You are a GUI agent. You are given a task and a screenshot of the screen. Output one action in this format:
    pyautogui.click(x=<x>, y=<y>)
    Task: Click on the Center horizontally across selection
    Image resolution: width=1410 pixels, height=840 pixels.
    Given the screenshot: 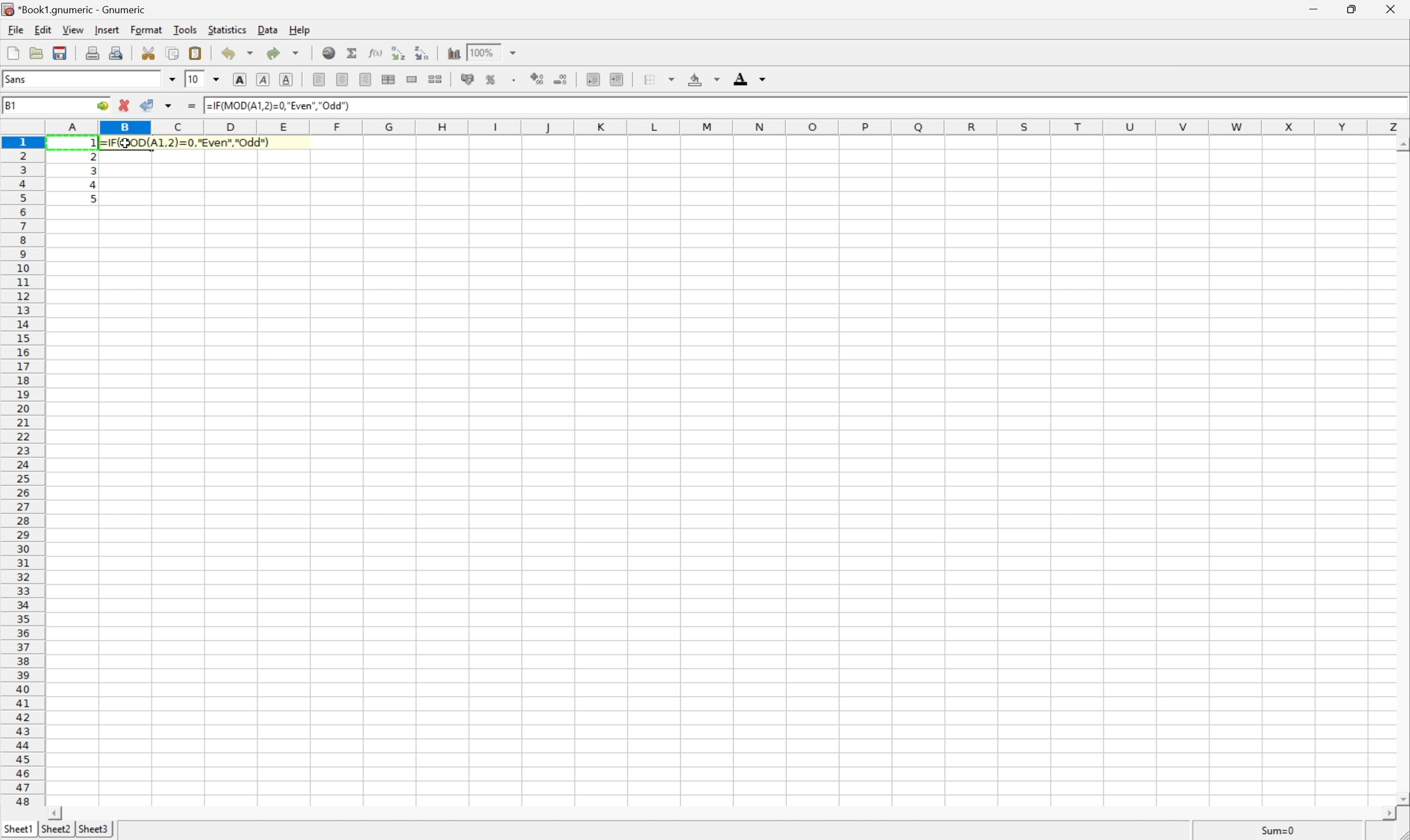 What is the action you would take?
    pyautogui.click(x=391, y=79)
    